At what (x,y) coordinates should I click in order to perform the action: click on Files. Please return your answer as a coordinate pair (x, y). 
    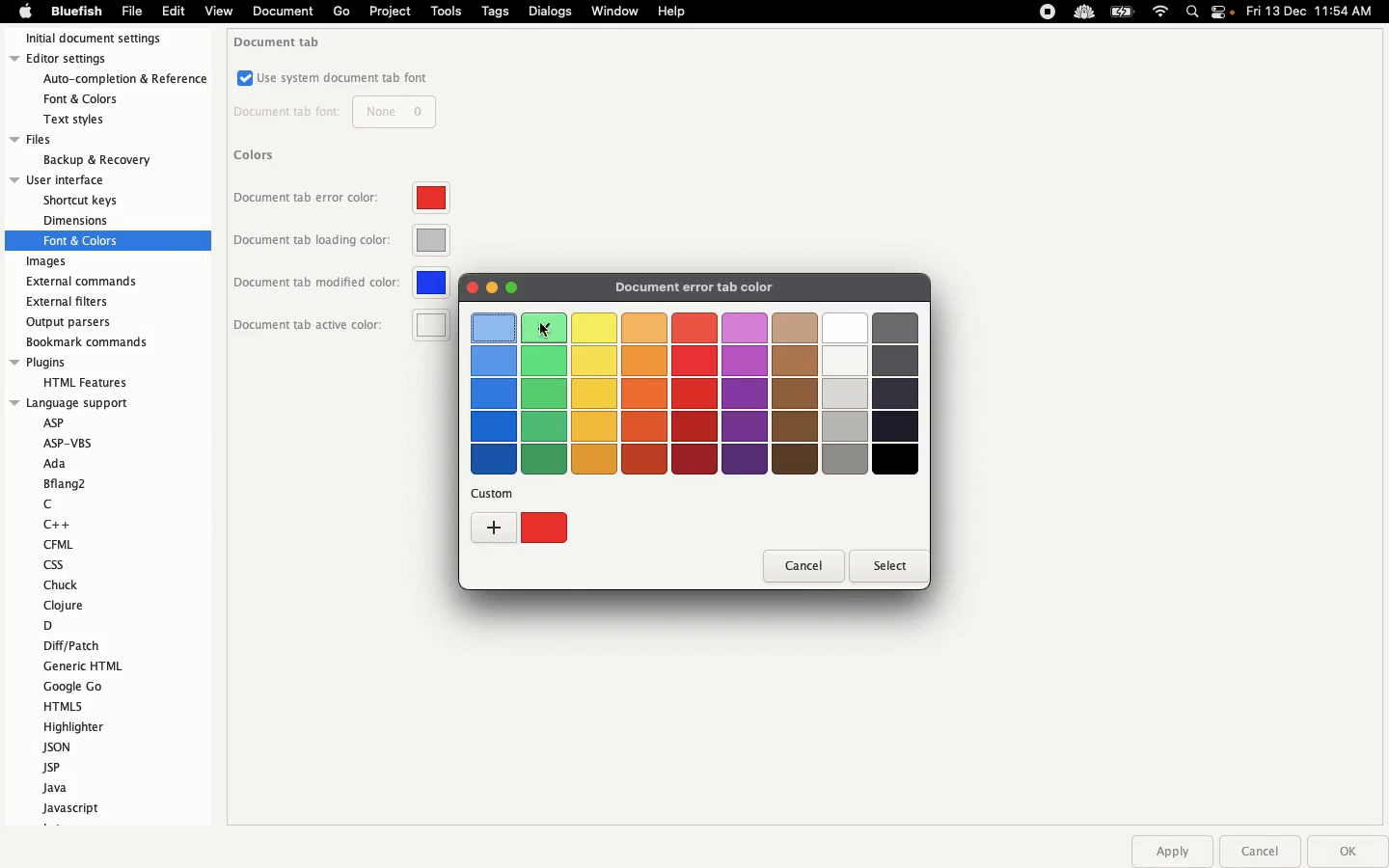
    Looking at the image, I should click on (82, 139).